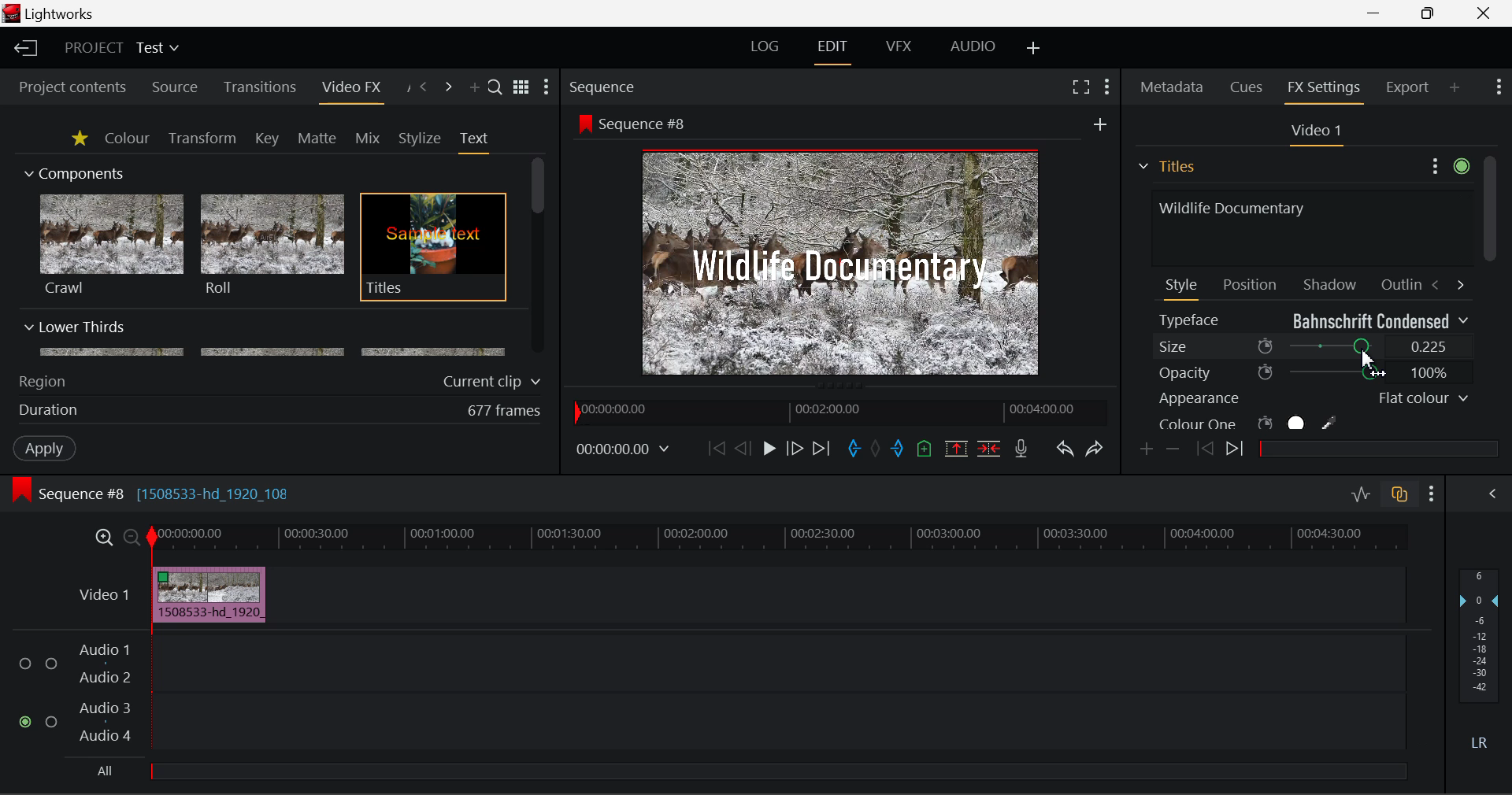 The height and width of the screenshot is (795, 1512). What do you see at coordinates (1432, 12) in the screenshot?
I see `Minimize` at bounding box center [1432, 12].